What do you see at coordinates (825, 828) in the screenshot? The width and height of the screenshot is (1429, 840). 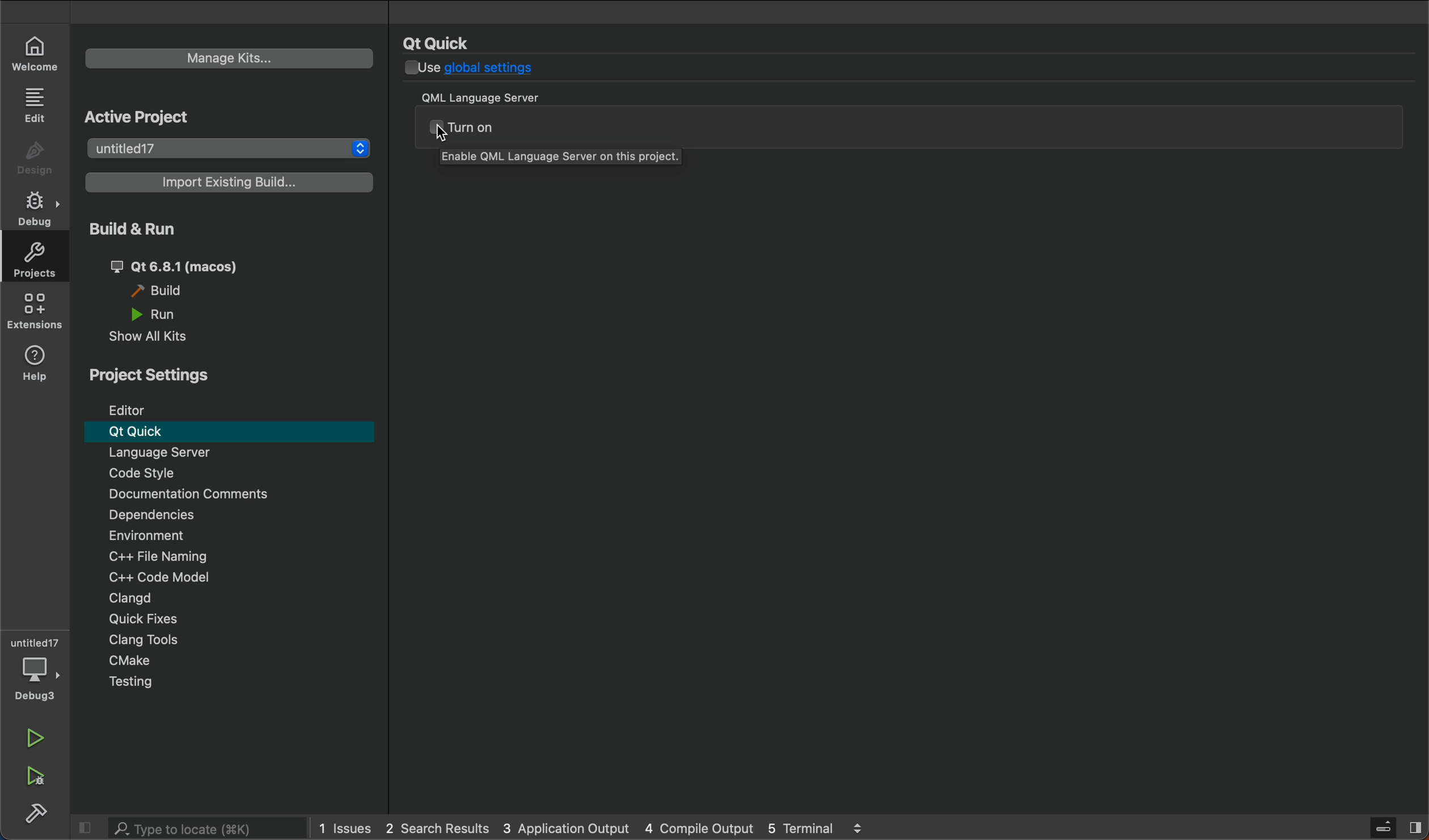 I see `terminal` at bounding box center [825, 828].